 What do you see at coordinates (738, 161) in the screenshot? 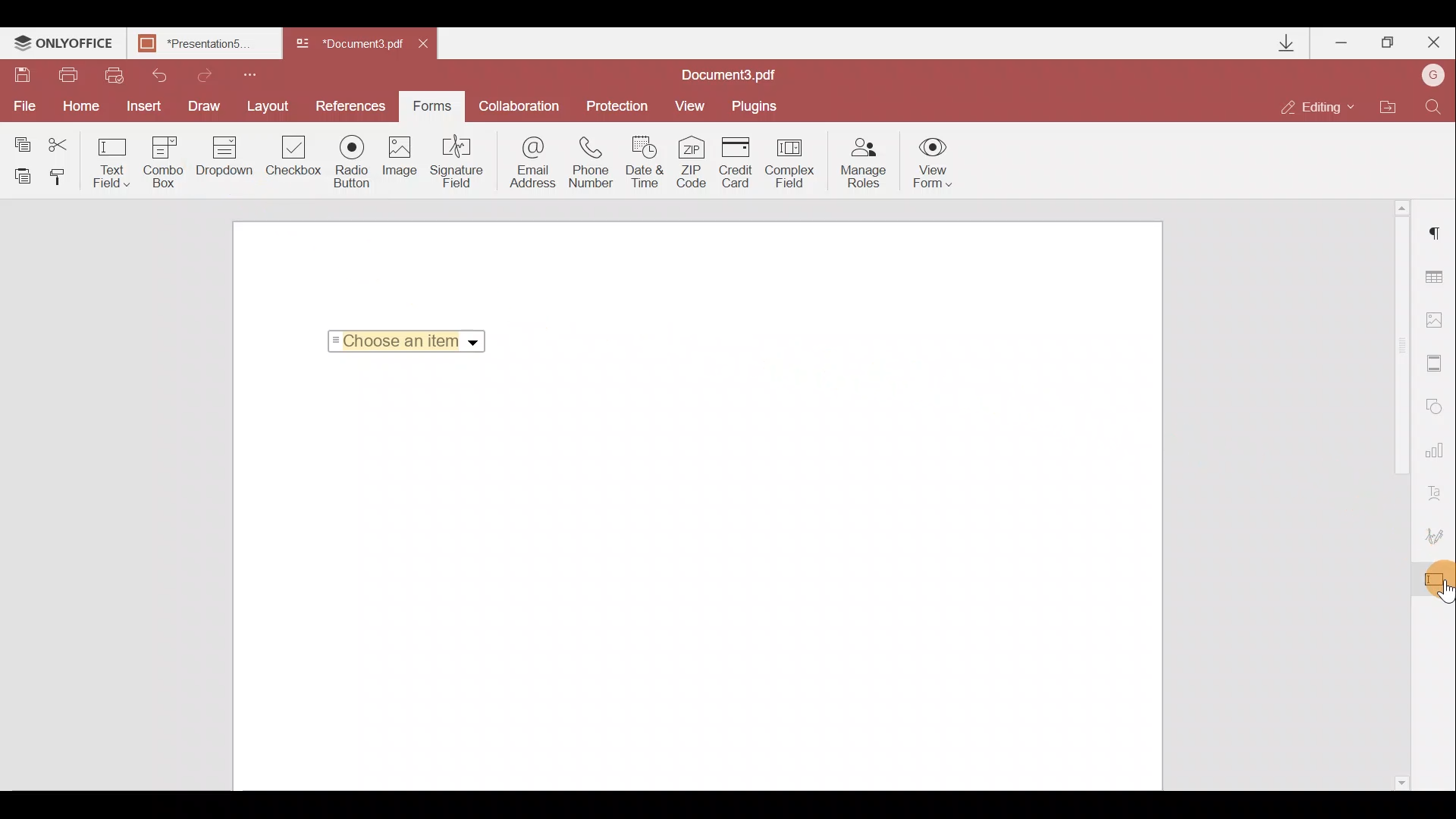
I see `Credit card` at bounding box center [738, 161].